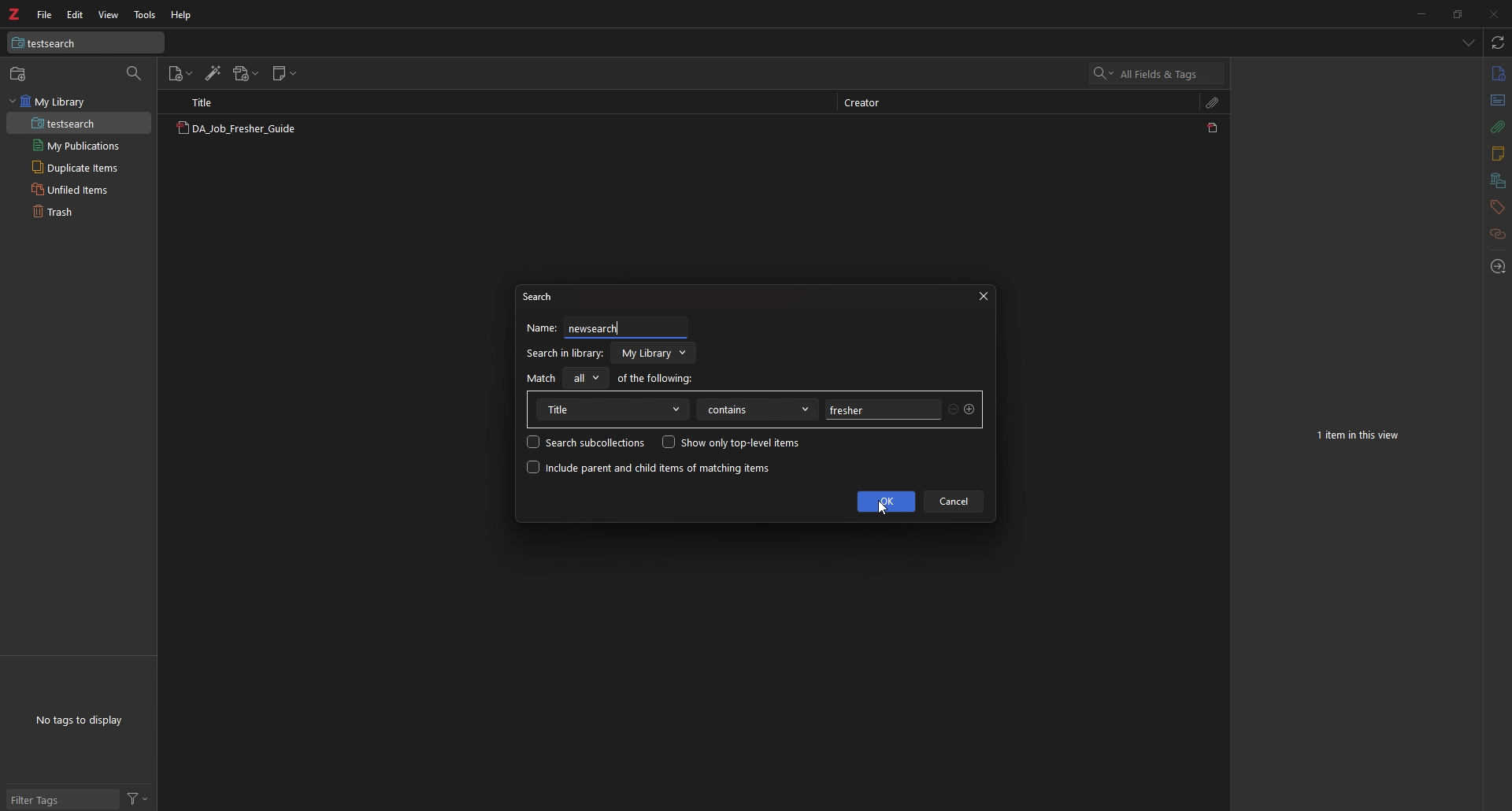 The width and height of the screenshot is (1512, 811). Describe the element at coordinates (1498, 73) in the screenshot. I see `info` at that location.